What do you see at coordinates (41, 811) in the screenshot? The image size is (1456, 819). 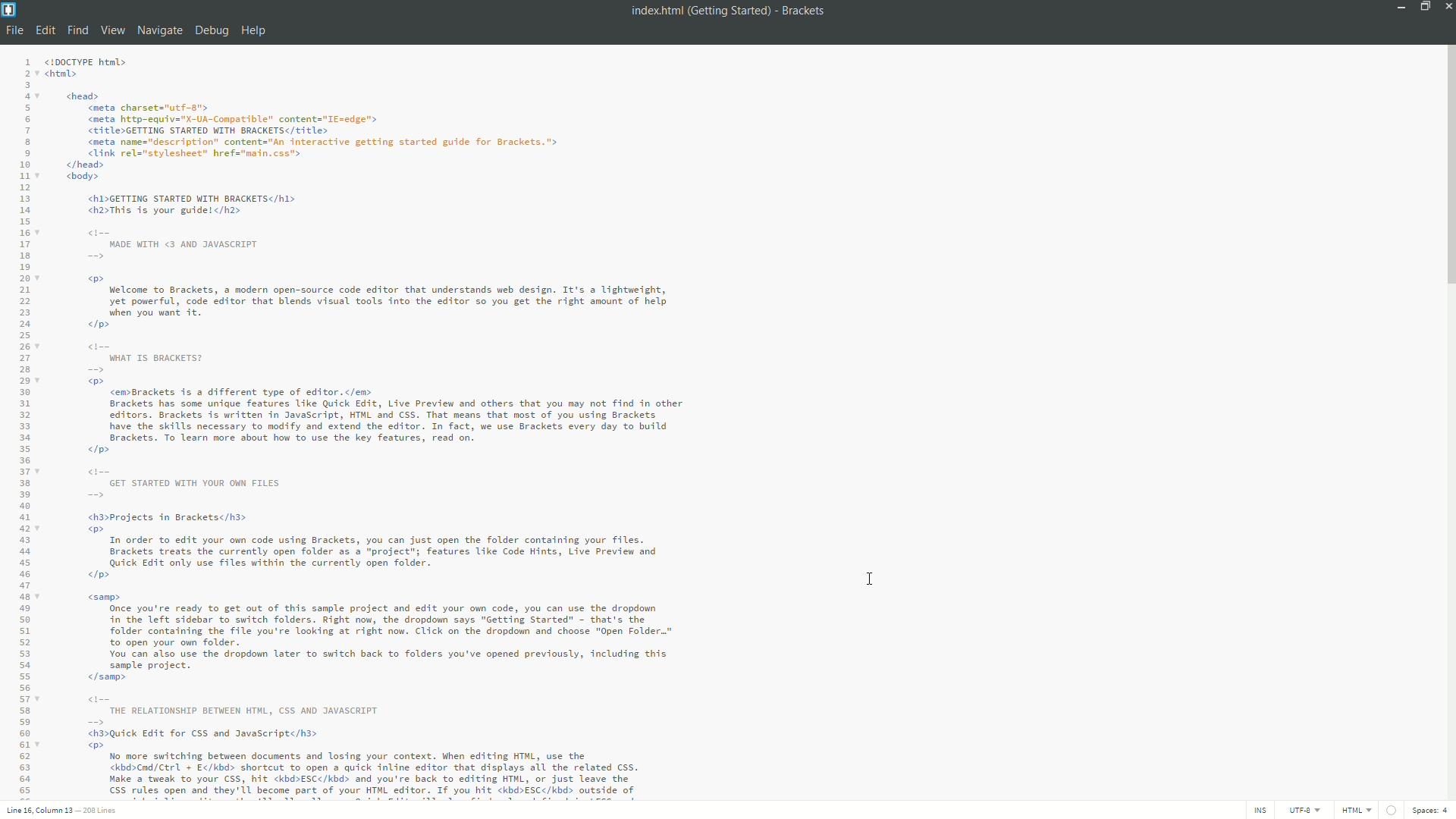 I see `cursor position` at bounding box center [41, 811].